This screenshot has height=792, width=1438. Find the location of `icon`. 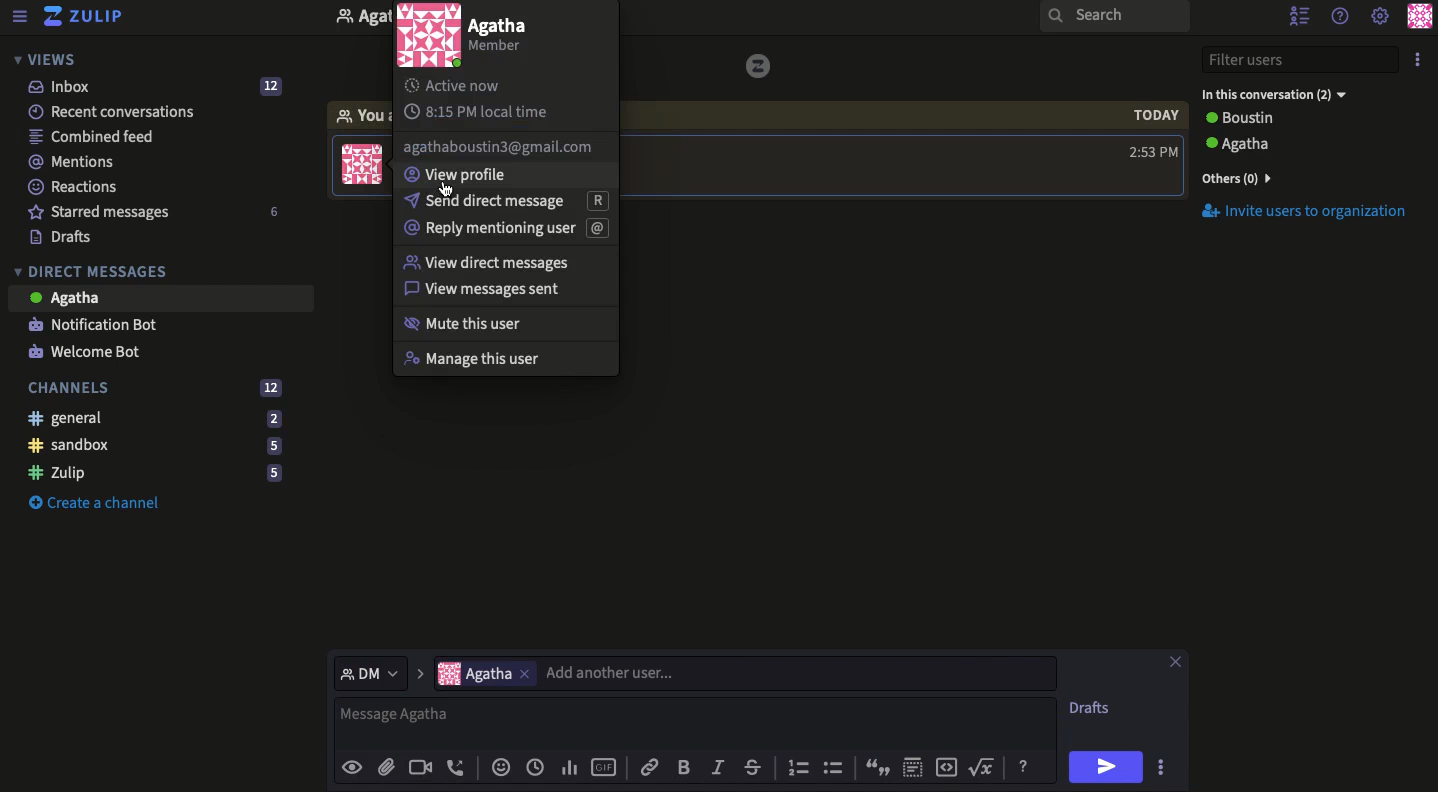

icon is located at coordinates (760, 66).